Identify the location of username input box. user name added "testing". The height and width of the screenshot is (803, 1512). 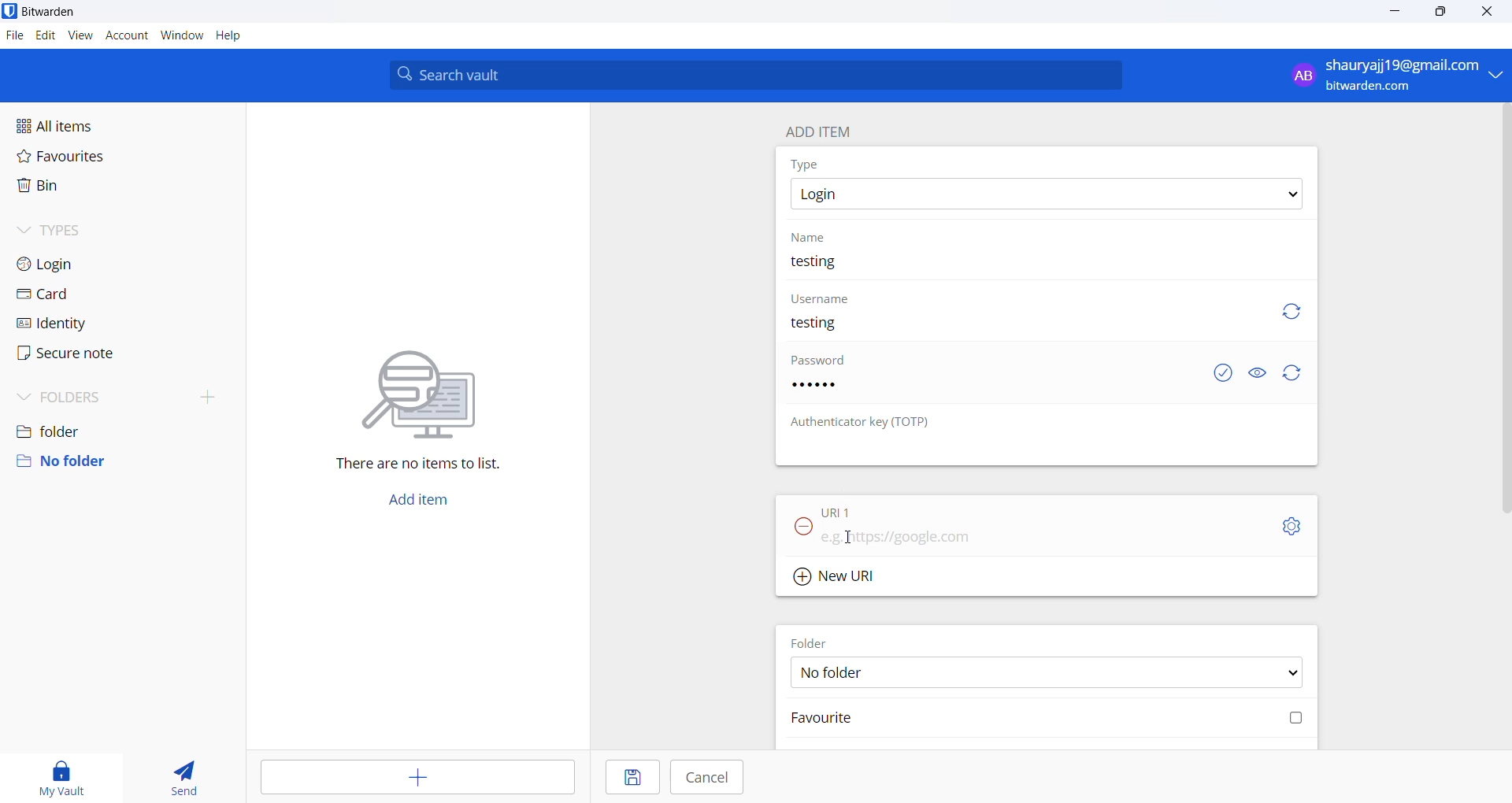
(1014, 327).